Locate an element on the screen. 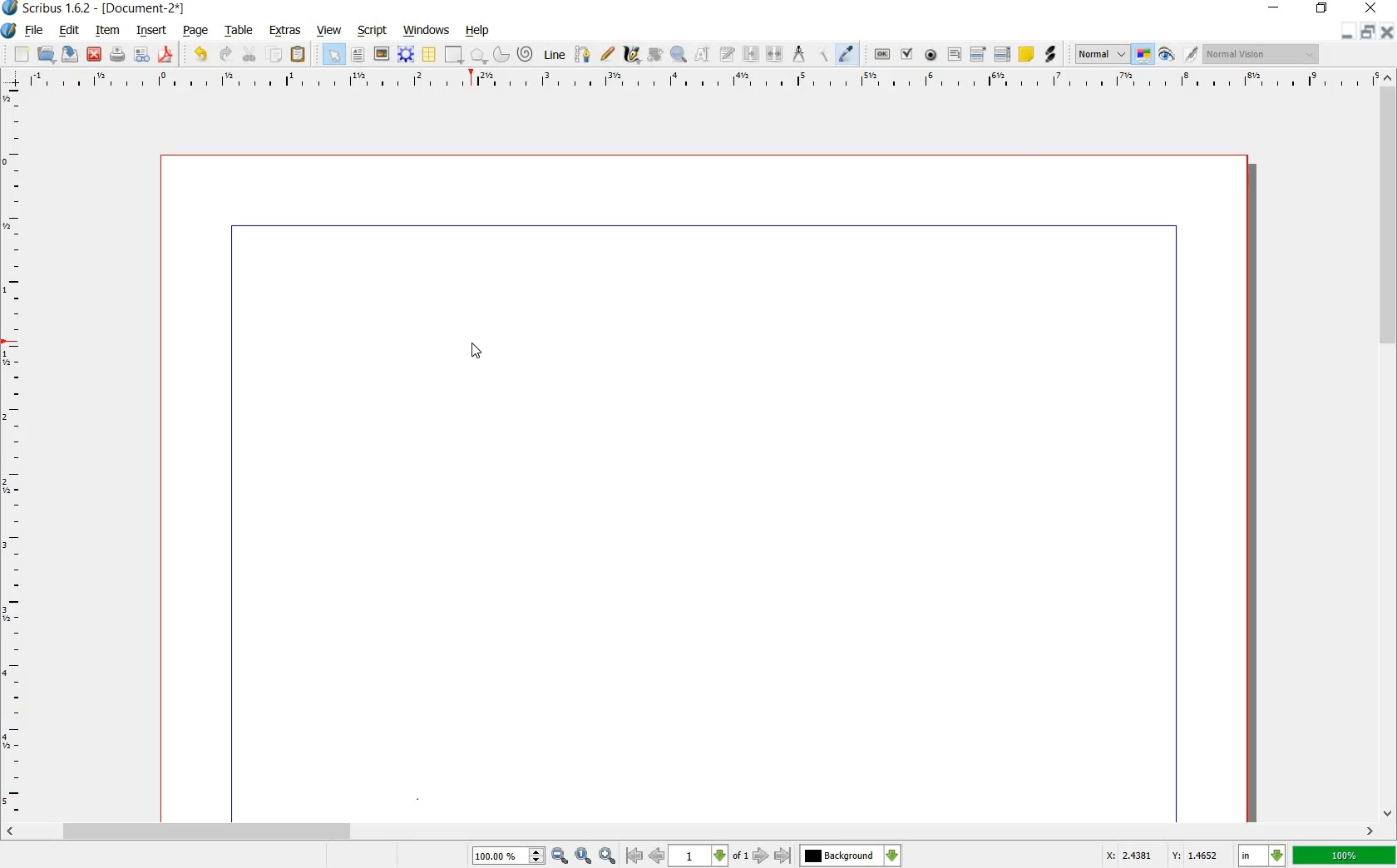  CUT is located at coordinates (250, 54).